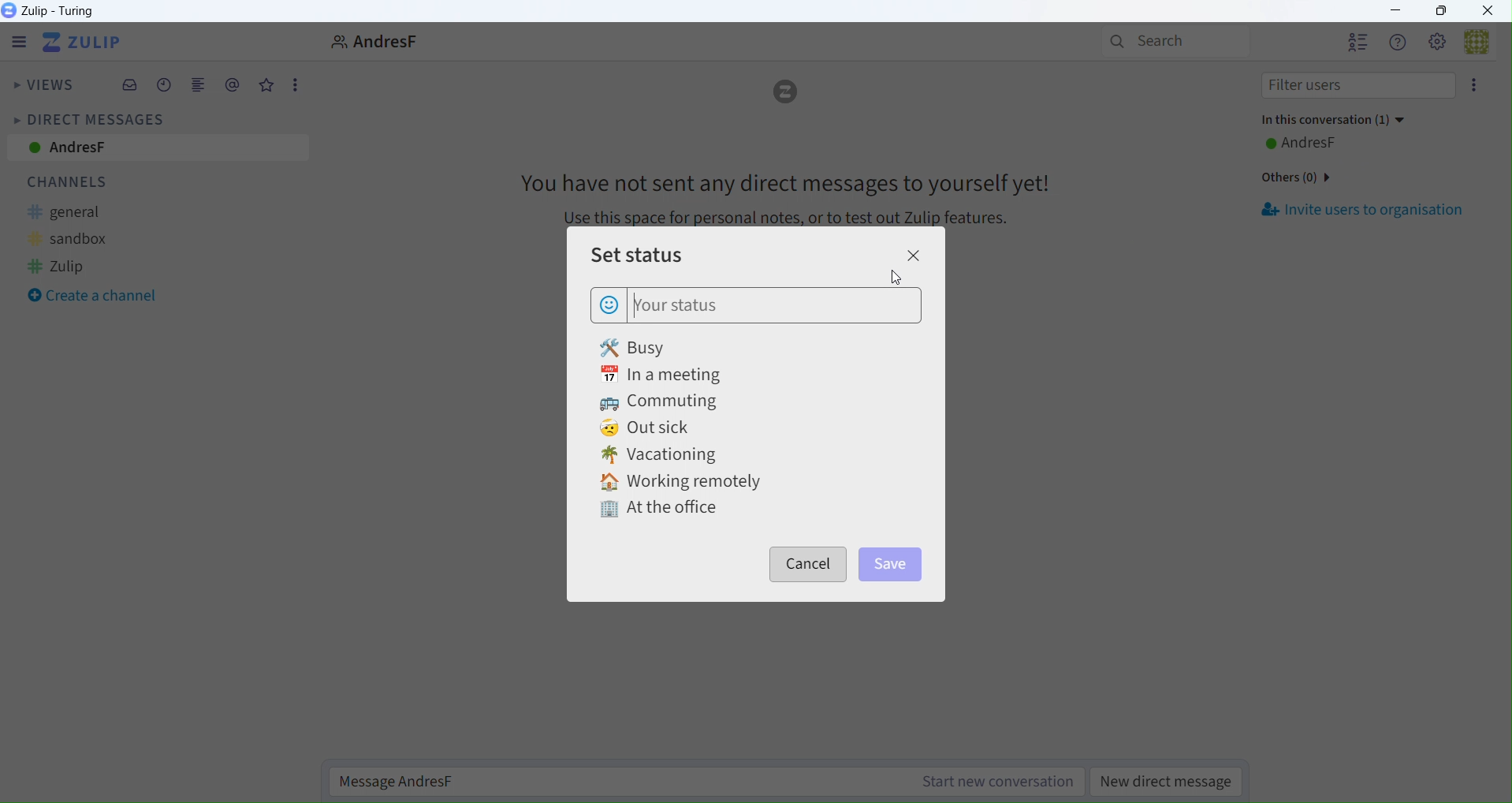  Describe the element at coordinates (1441, 10) in the screenshot. I see `Box` at that location.